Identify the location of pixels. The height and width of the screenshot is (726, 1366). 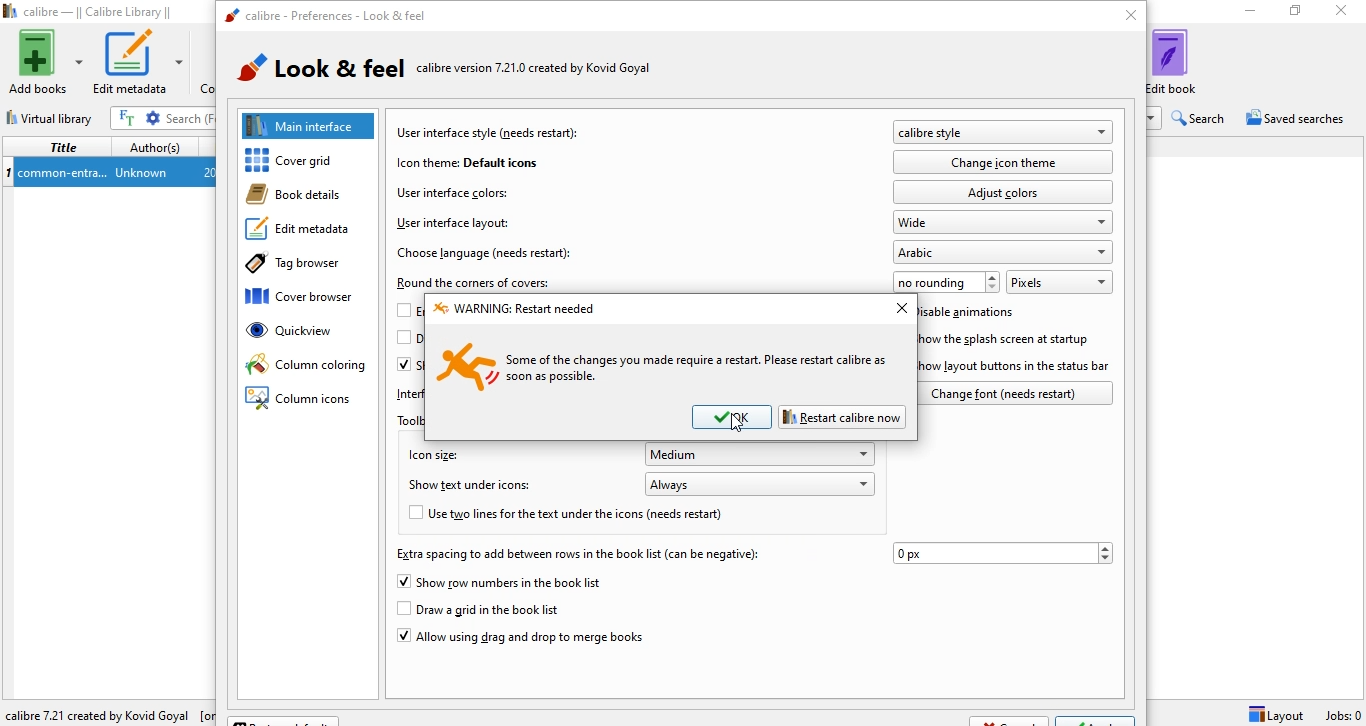
(1058, 281).